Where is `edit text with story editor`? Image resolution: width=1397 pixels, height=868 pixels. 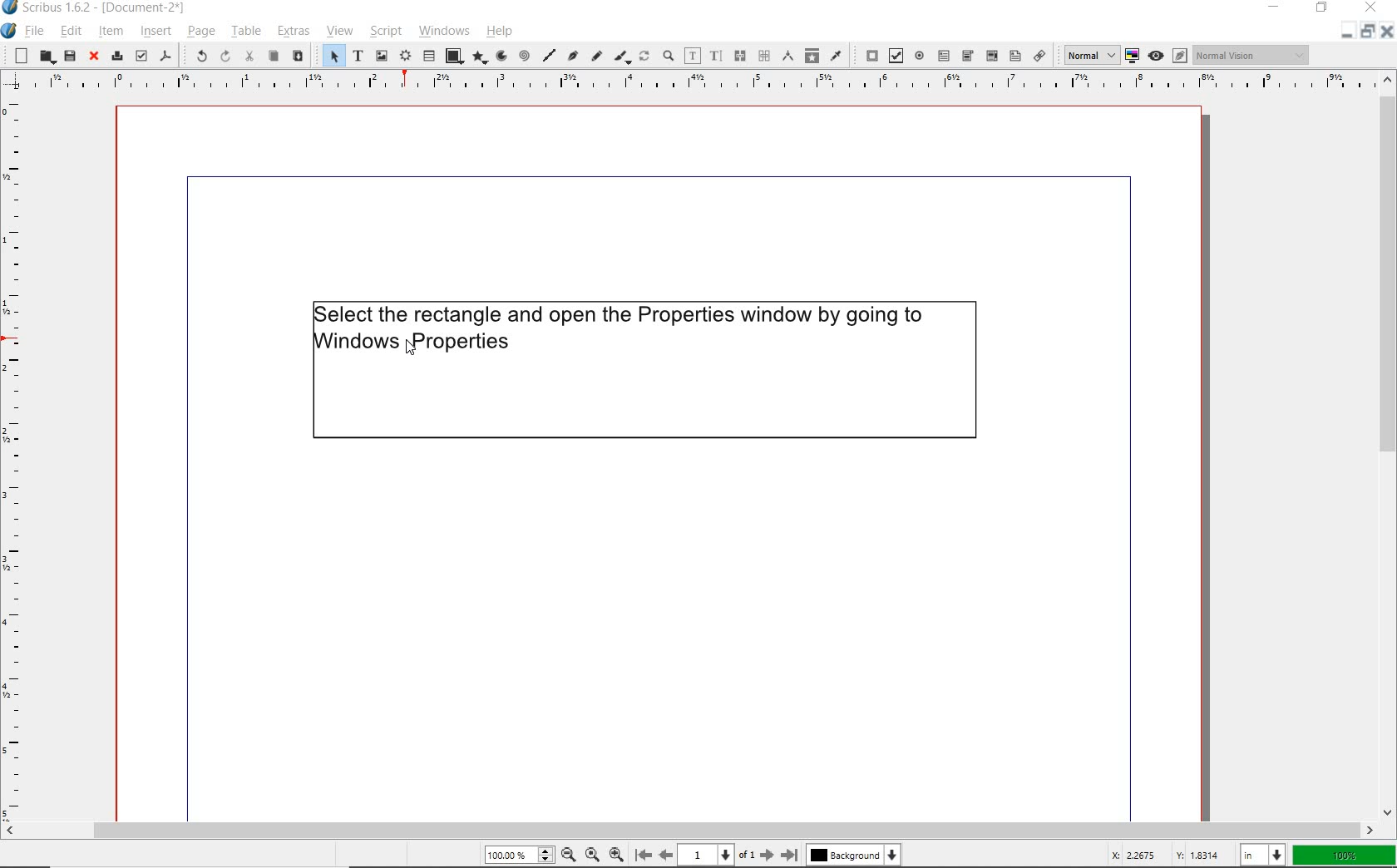
edit text with story editor is located at coordinates (715, 55).